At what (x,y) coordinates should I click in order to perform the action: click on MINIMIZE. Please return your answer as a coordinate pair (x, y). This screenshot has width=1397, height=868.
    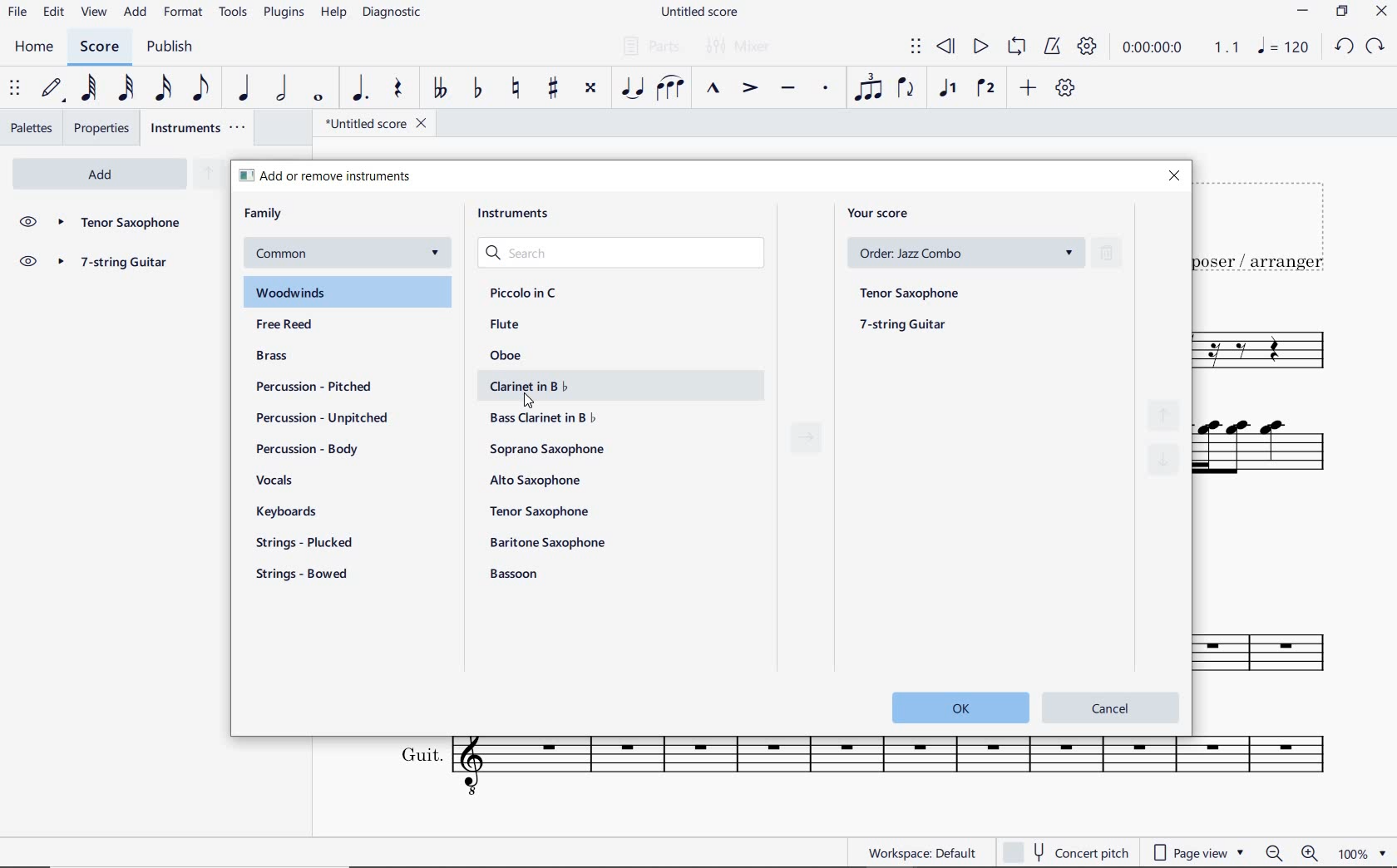
    Looking at the image, I should click on (1304, 12).